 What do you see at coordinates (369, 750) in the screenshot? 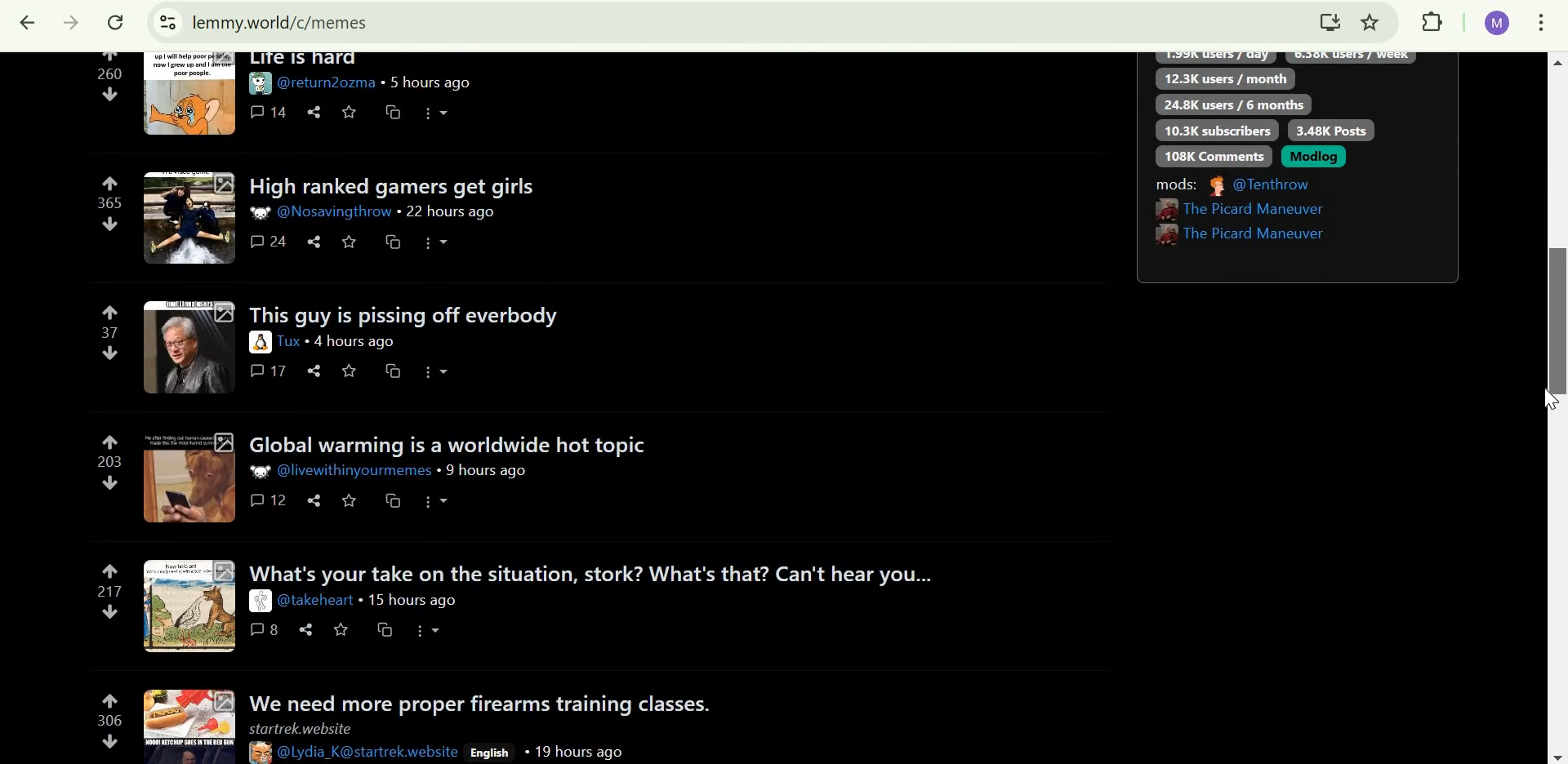
I see `User Ids` at bounding box center [369, 750].